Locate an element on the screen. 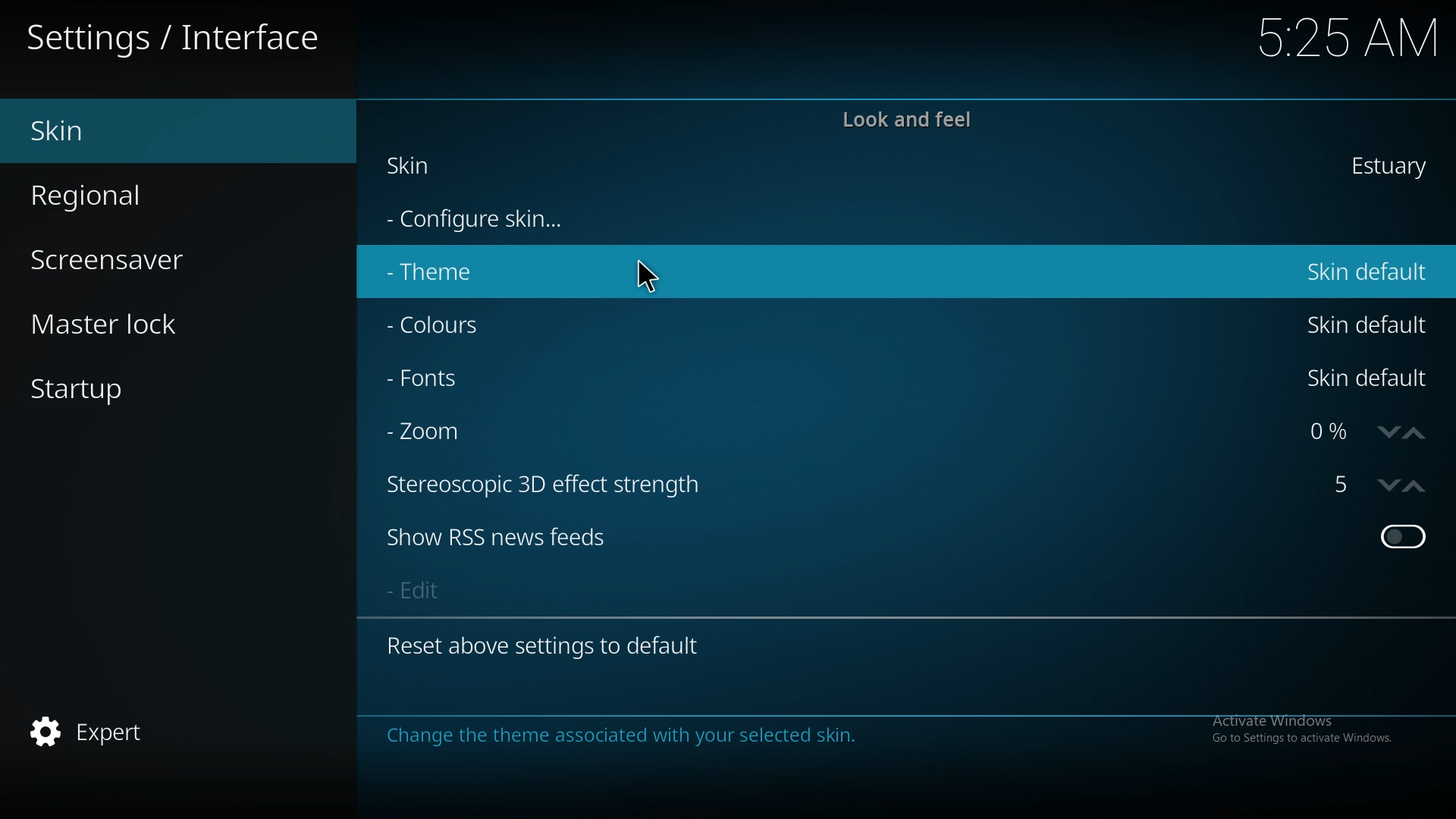  skin is located at coordinates (441, 164).